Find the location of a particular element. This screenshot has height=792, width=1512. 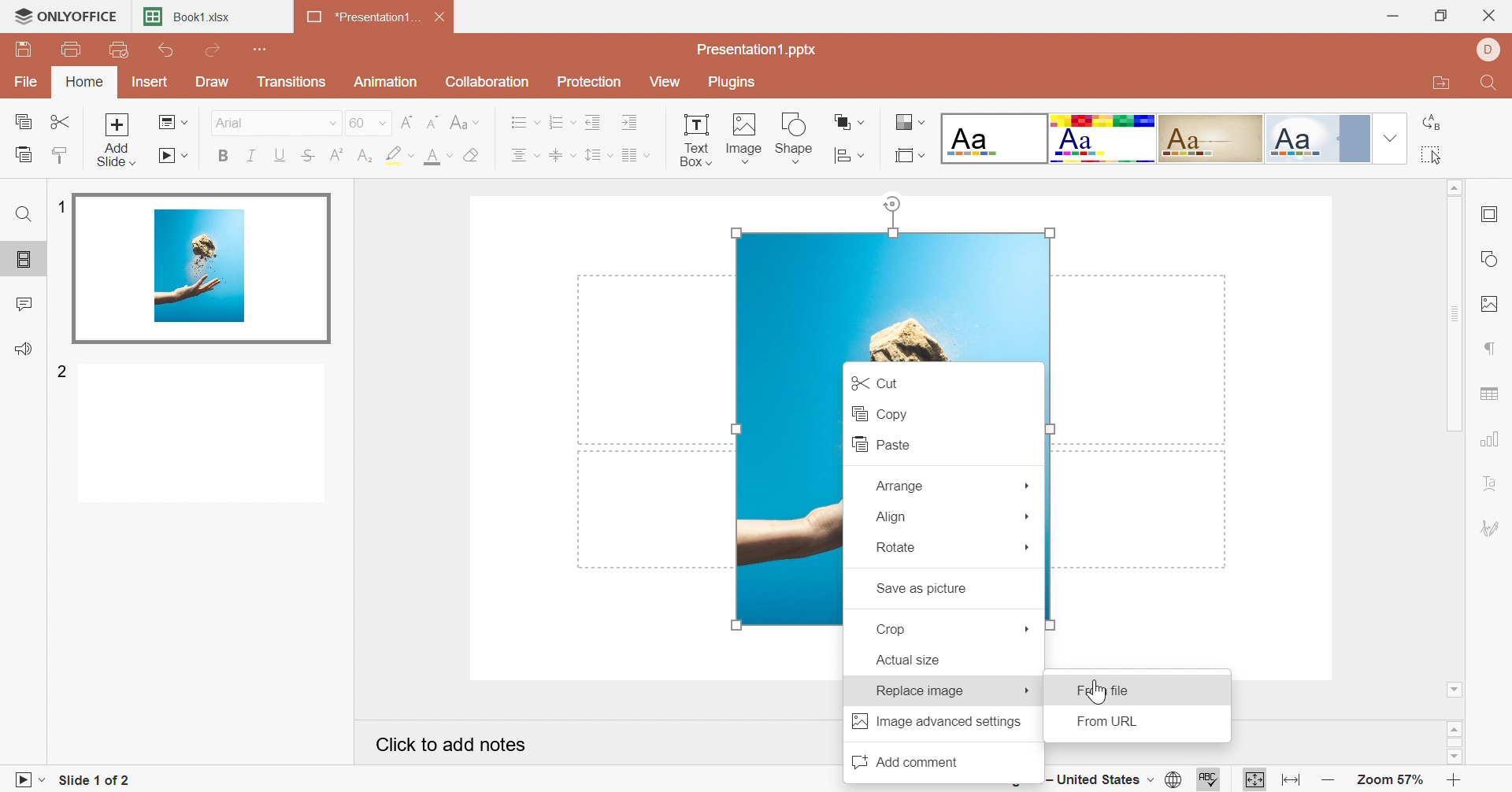

image is located at coordinates (785, 494).